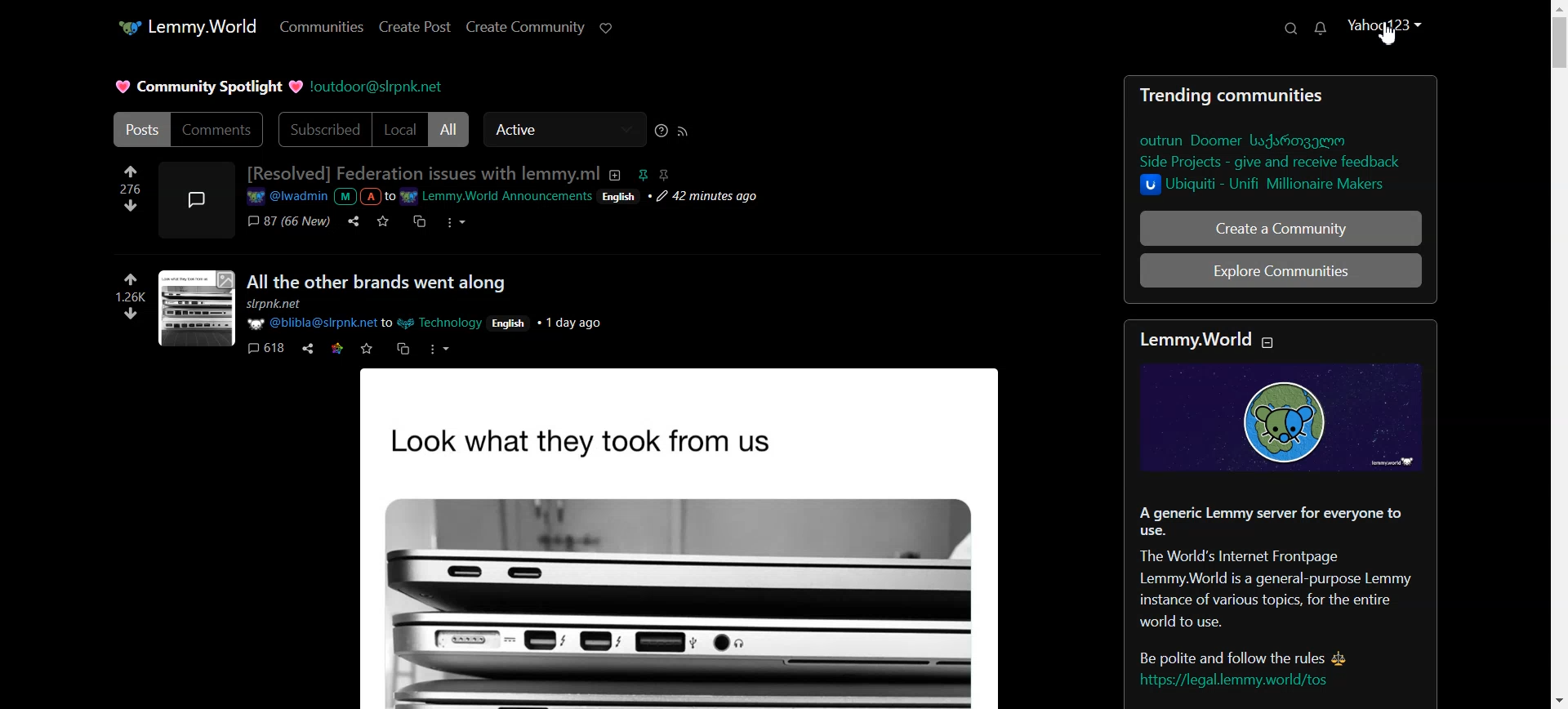 The width and height of the screenshot is (1568, 709). What do you see at coordinates (1281, 270) in the screenshot?
I see `Explore Communities` at bounding box center [1281, 270].